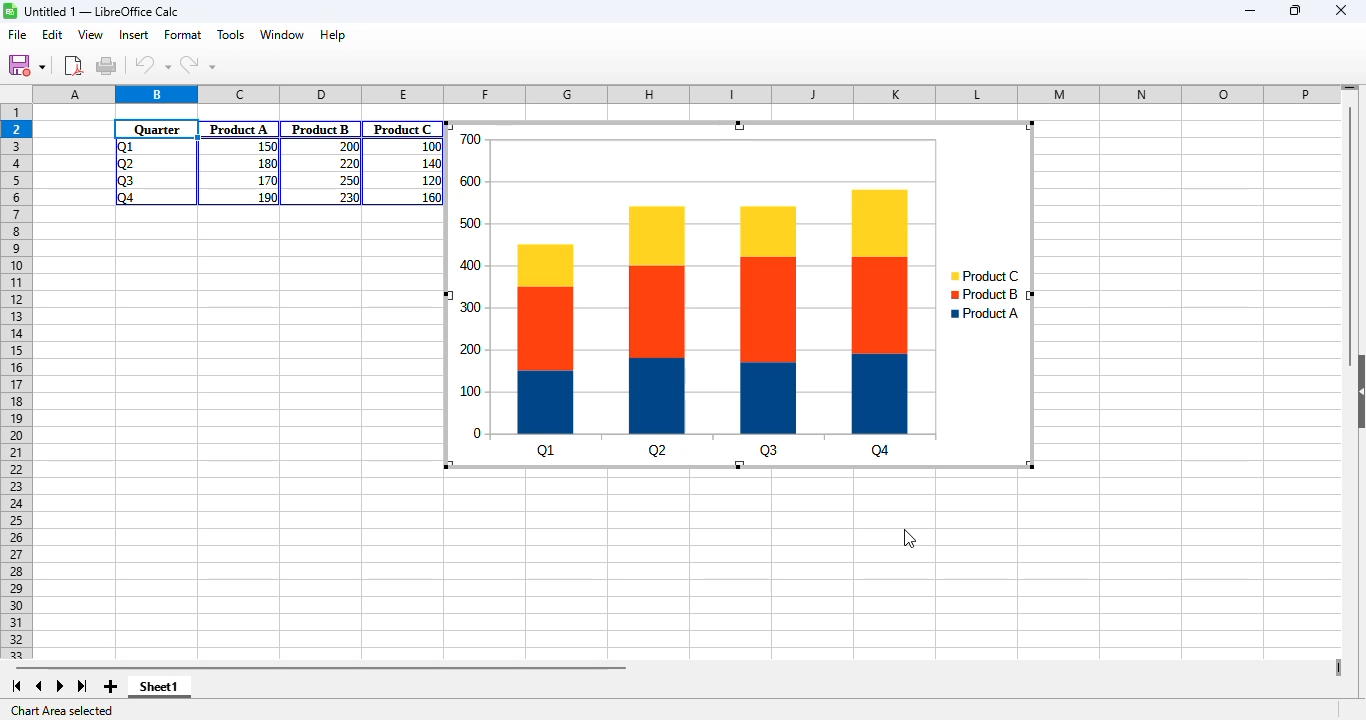  I want to click on chart area selected, so click(64, 711).